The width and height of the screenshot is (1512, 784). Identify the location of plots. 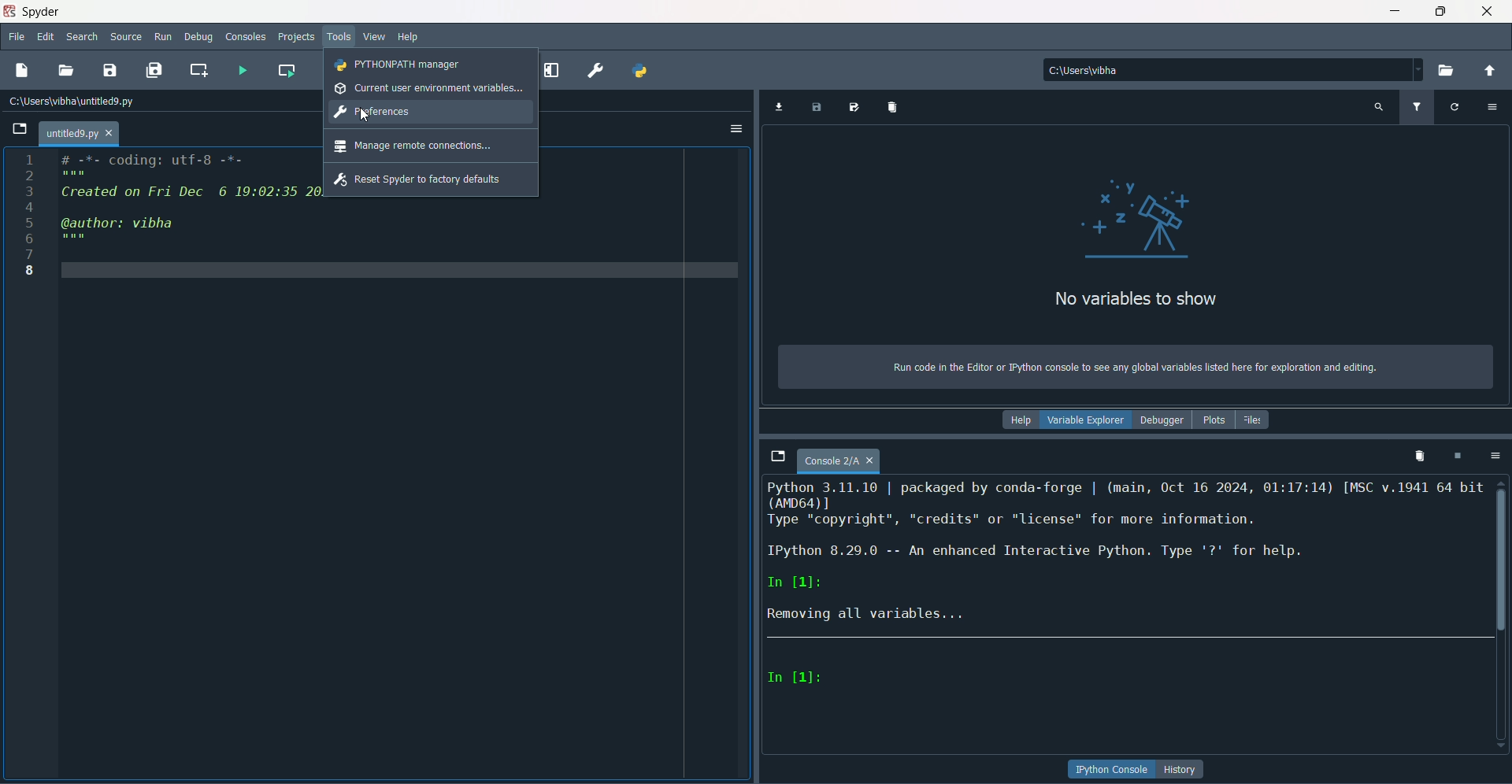
(1212, 420).